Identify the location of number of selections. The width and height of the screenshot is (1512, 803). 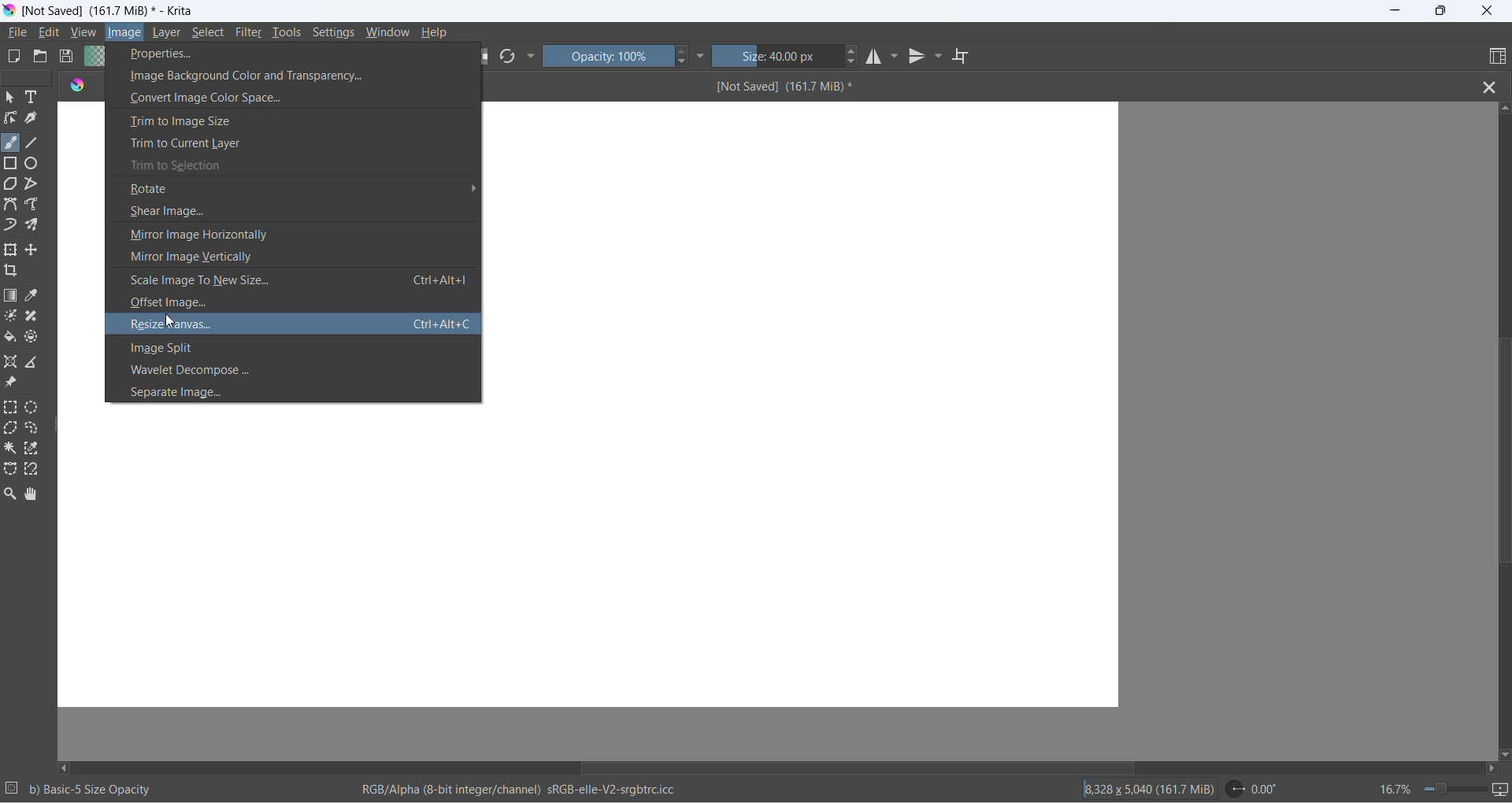
(12, 790).